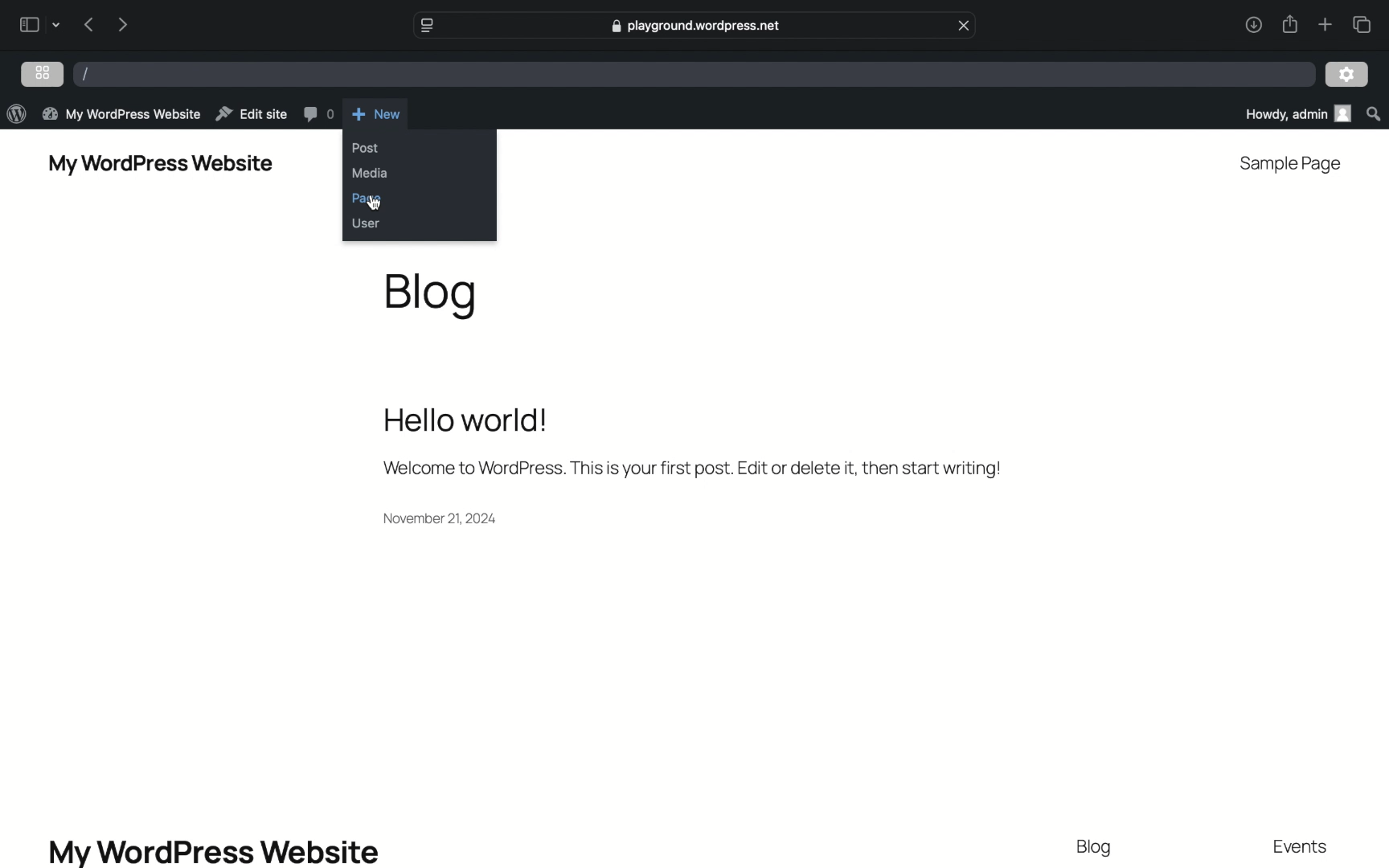 The width and height of the screenshot is (1389, 868). I want to click on howdy, admin, so click(1293, 114).